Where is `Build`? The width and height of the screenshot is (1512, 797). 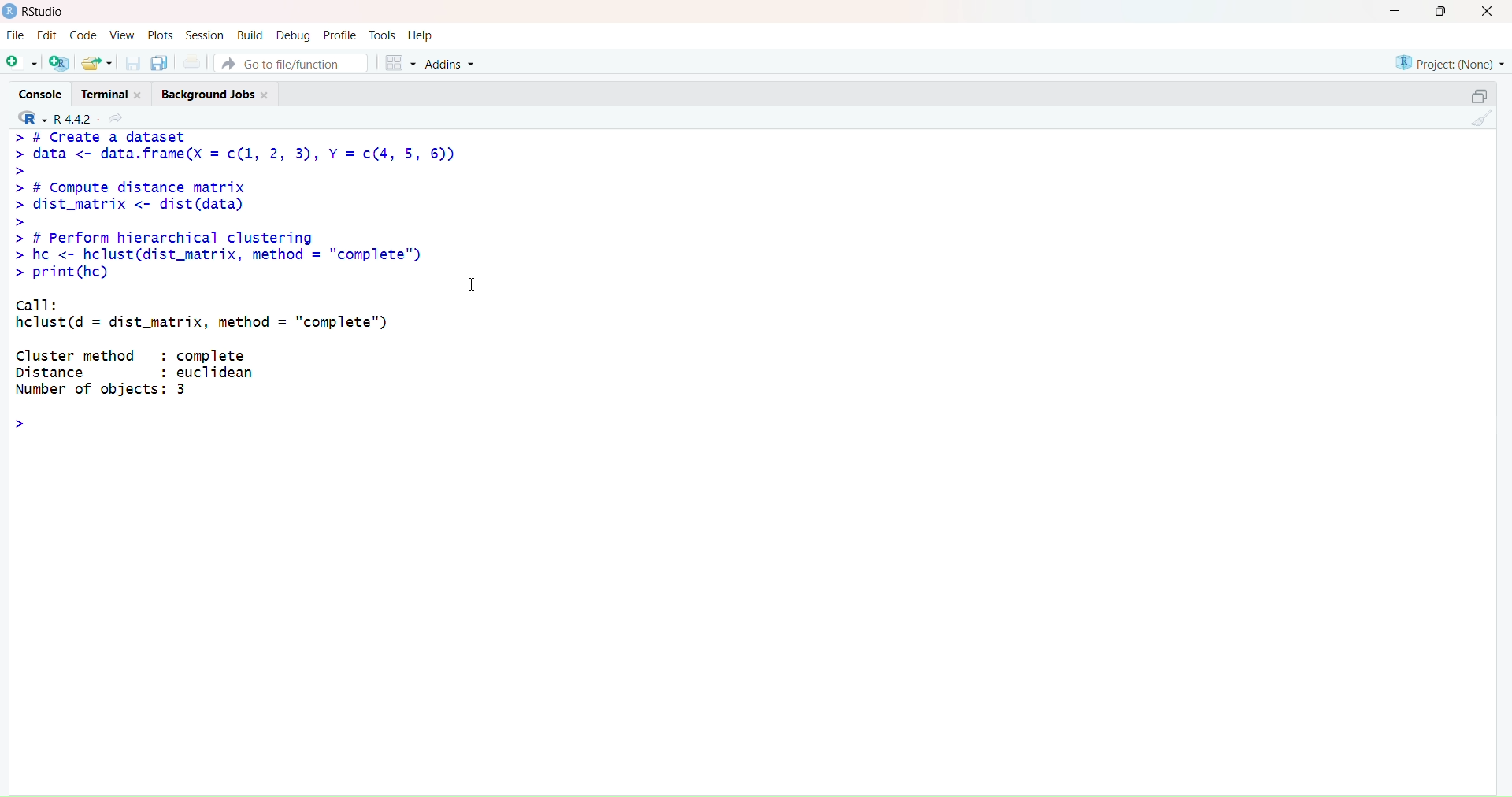 Build is located at coordinates (250, 36).